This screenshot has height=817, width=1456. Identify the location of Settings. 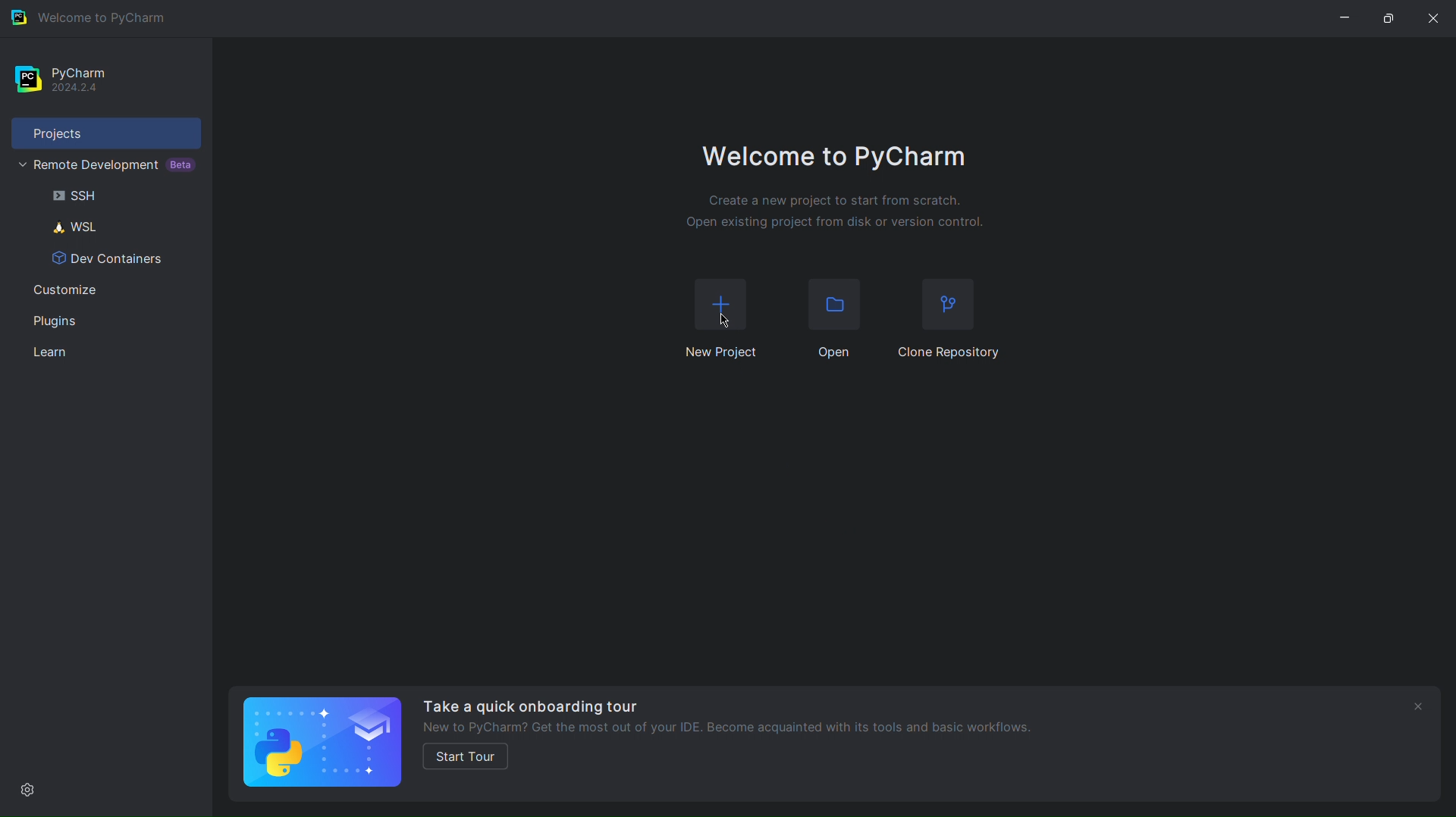
(30, 787).